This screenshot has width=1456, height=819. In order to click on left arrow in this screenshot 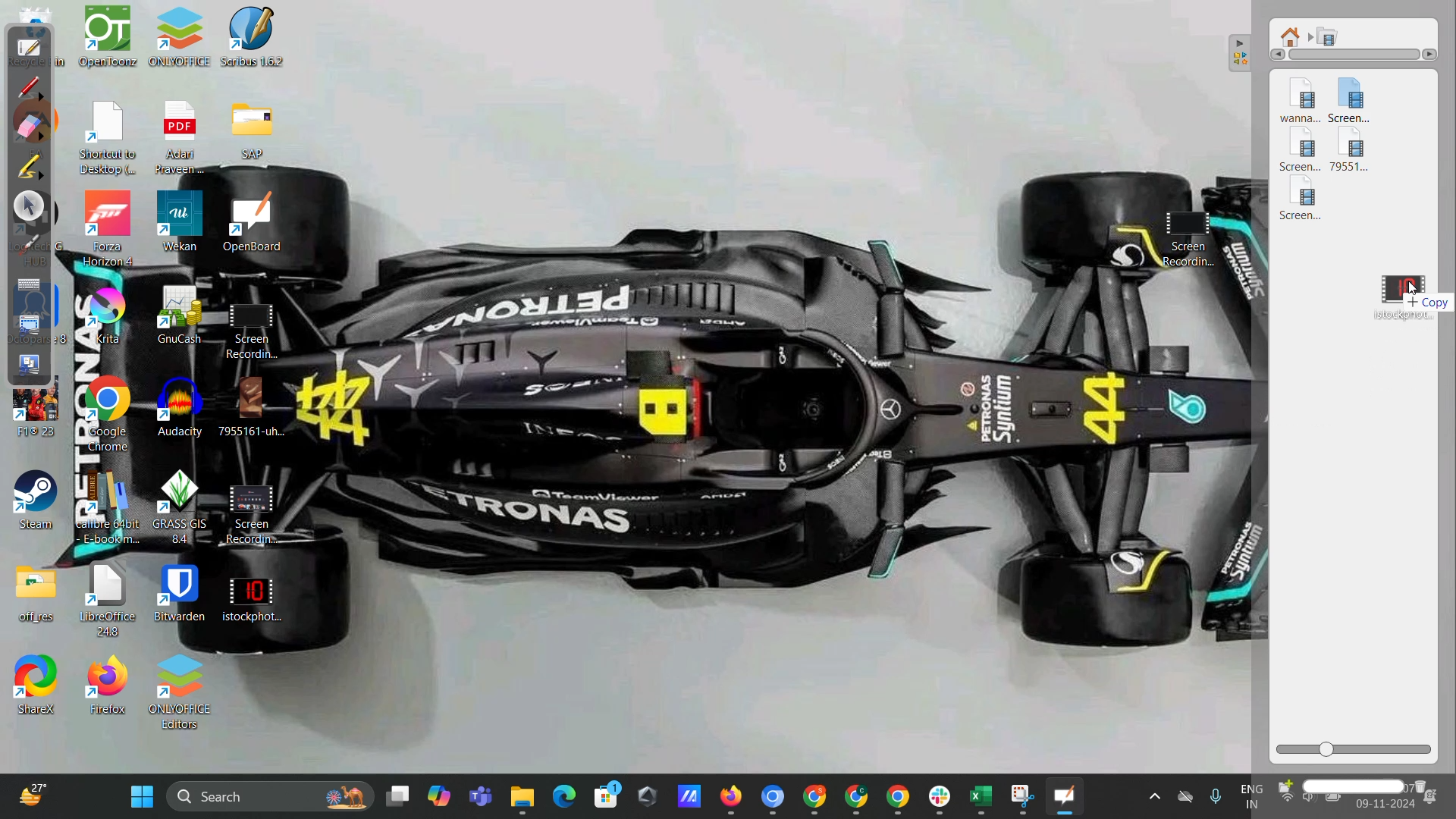, I will do `click(1276, 55)`.